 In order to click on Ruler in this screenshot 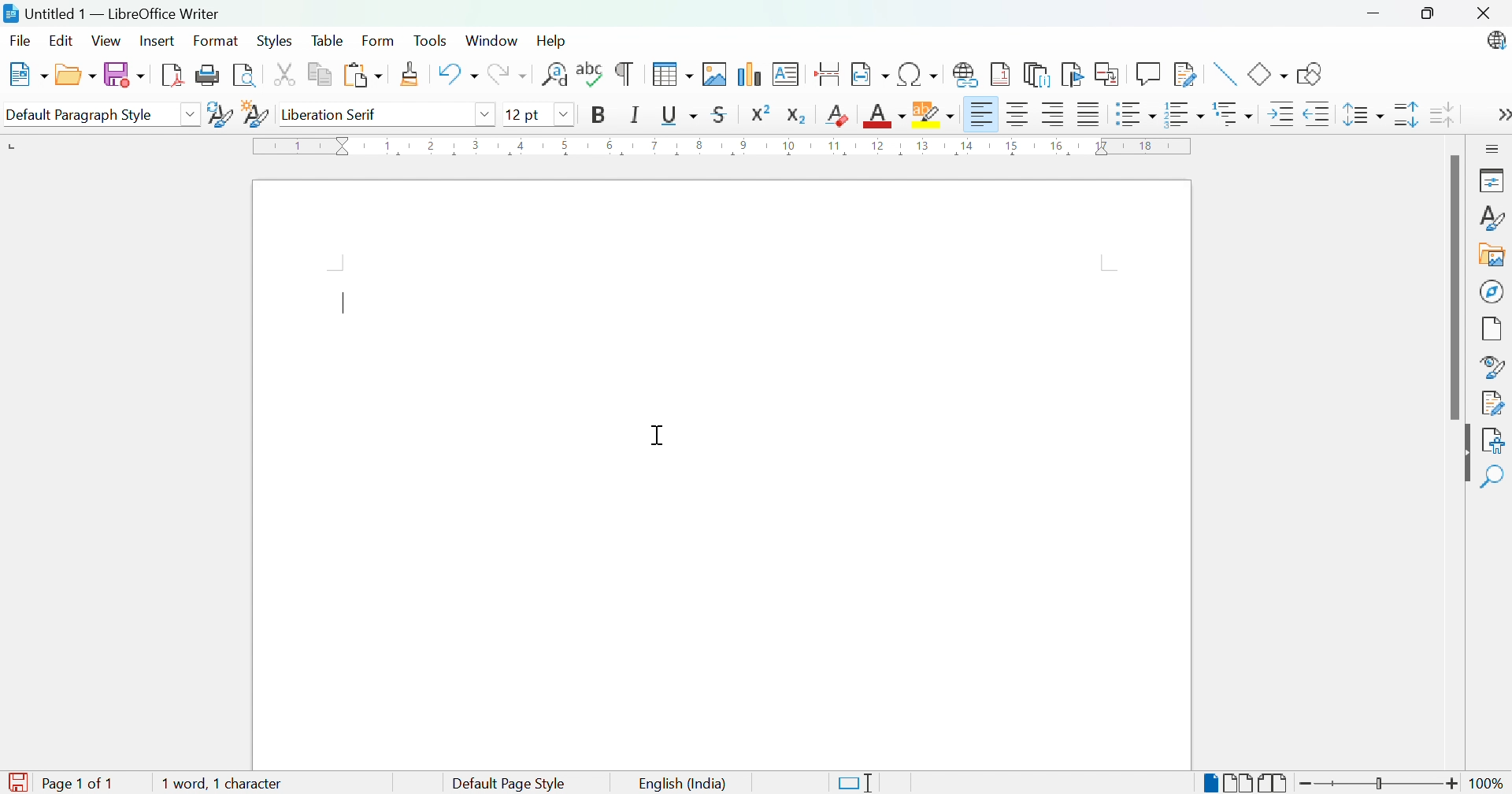, I will do `click(724, 148)`.